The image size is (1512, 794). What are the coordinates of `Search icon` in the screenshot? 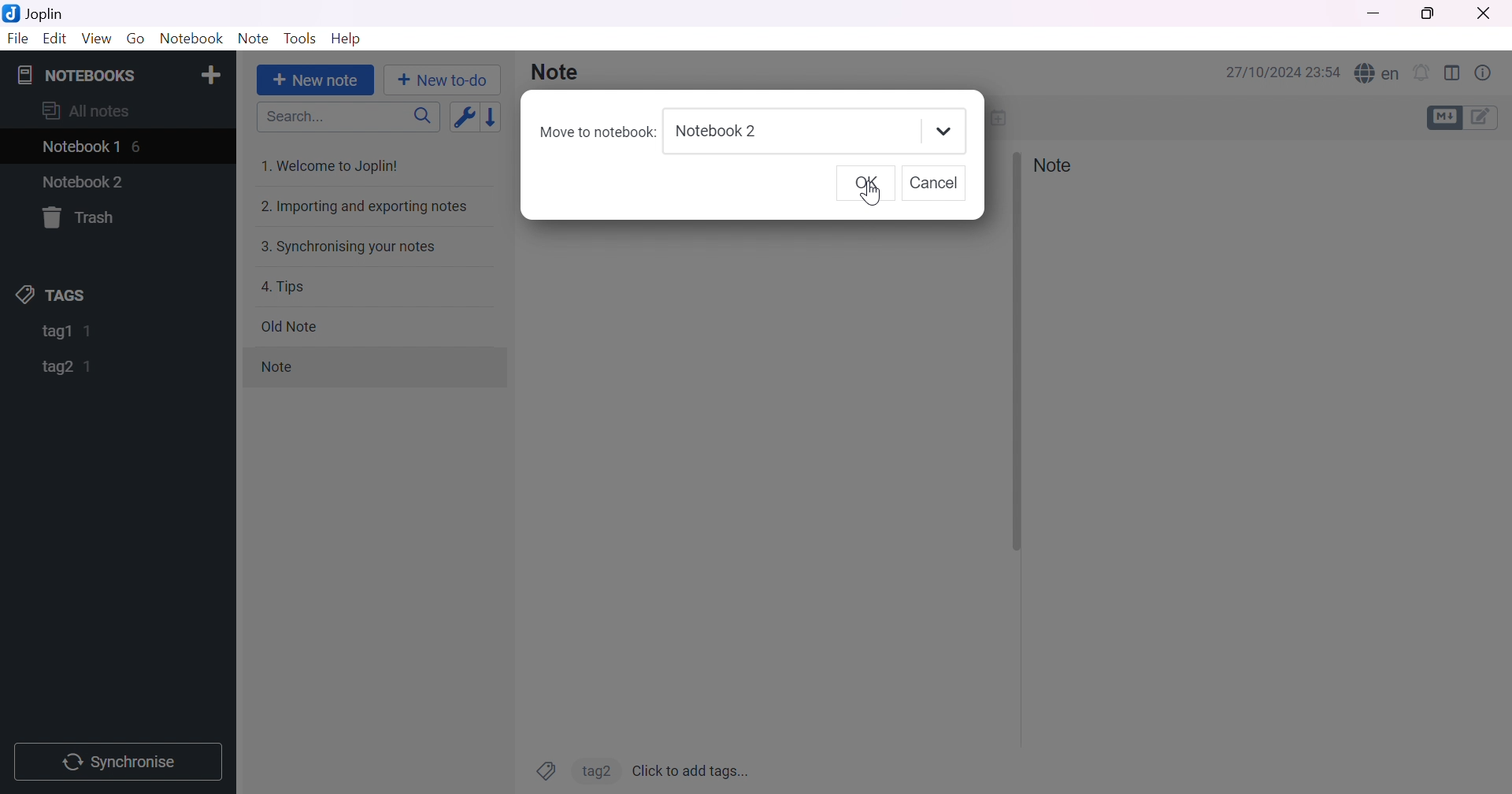 It's located at (418, 118).